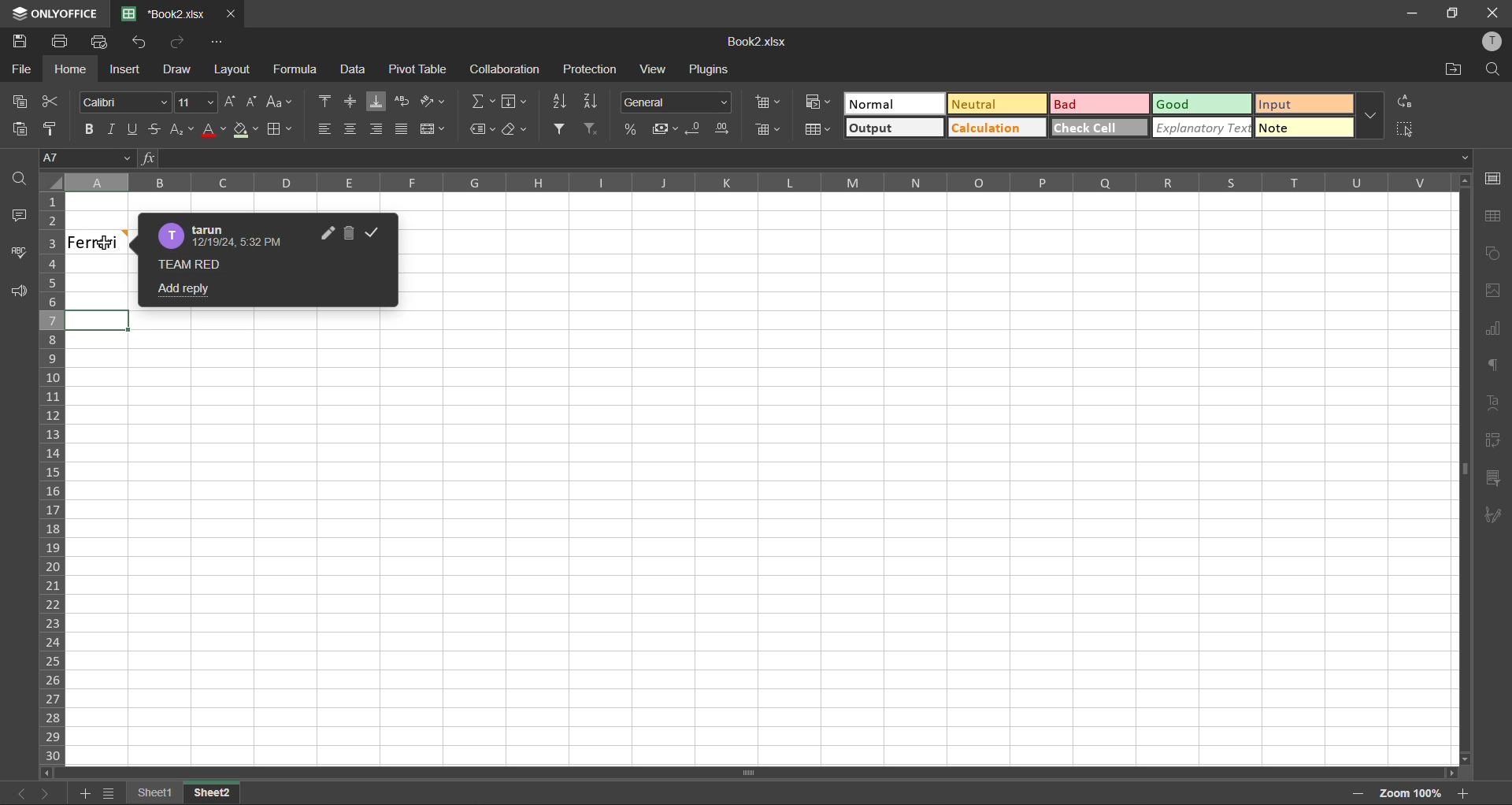 This screenshot has width=1512, height=805. Describe the element at coordinates (114, 125) in the screenshot. I see `italic` at that location.